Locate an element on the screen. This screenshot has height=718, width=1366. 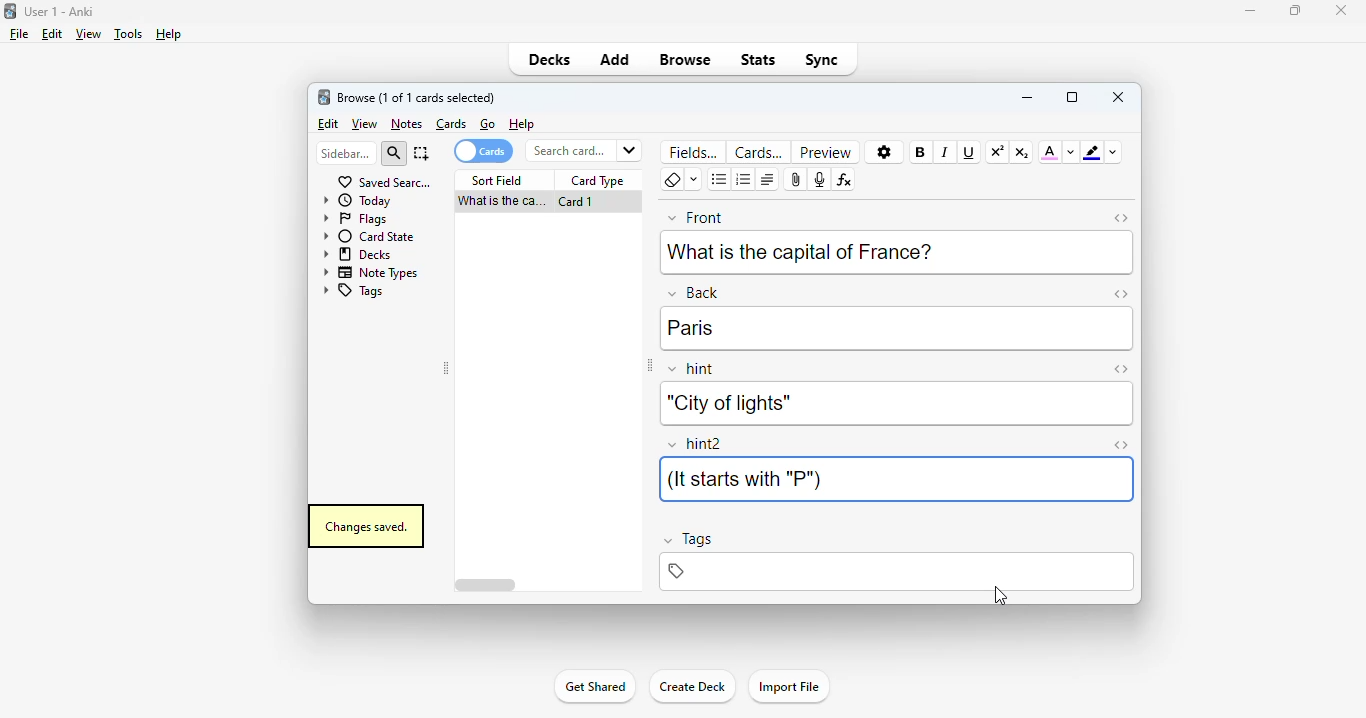
add is located at coordinates (615, 58).